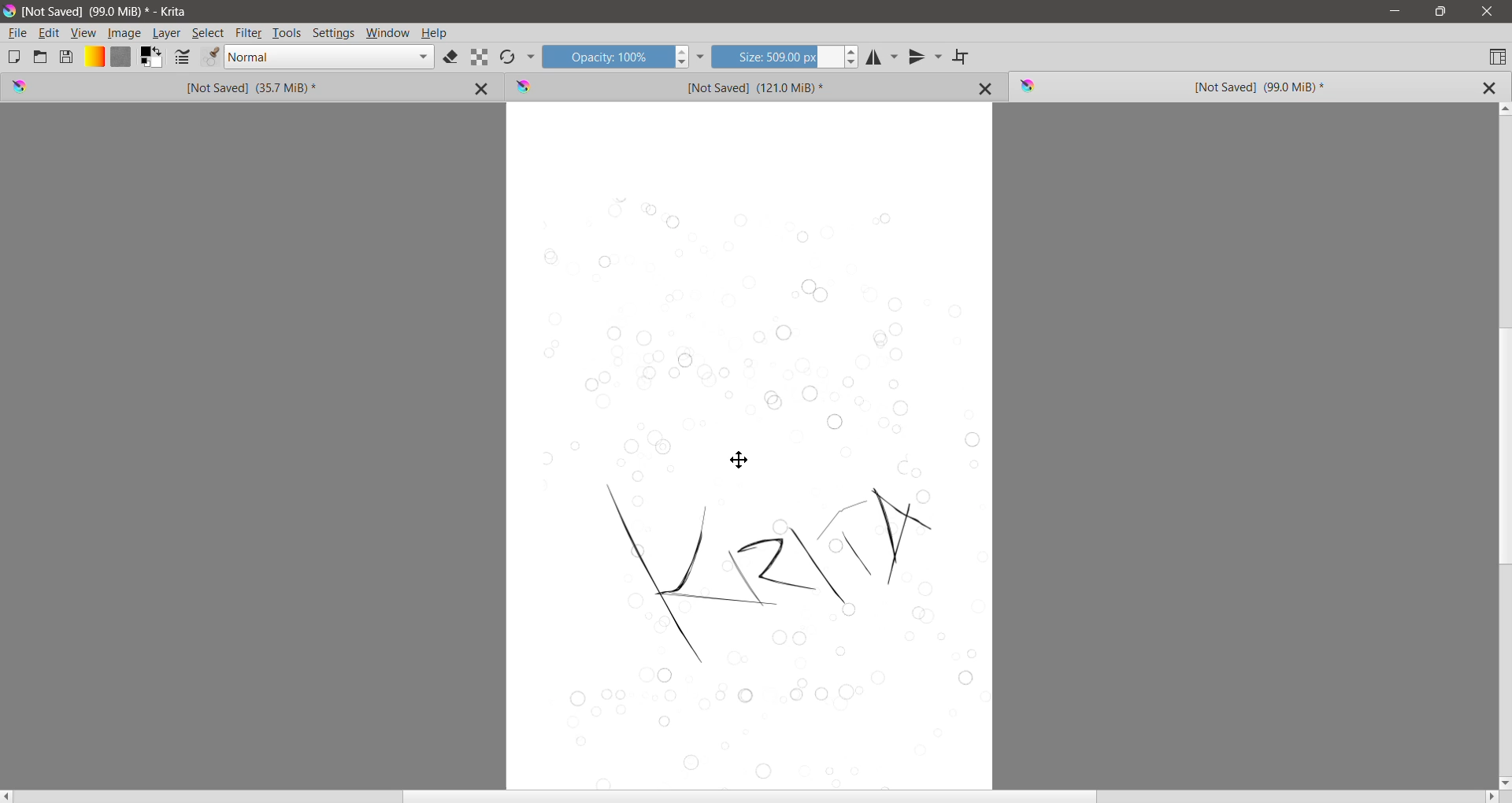 Image resolution: width=1512 pixels, height=803 pixels. What do you see at coordinates (67, 56) in the screenshot?
I see `Save` at bounding box center [67, 56].